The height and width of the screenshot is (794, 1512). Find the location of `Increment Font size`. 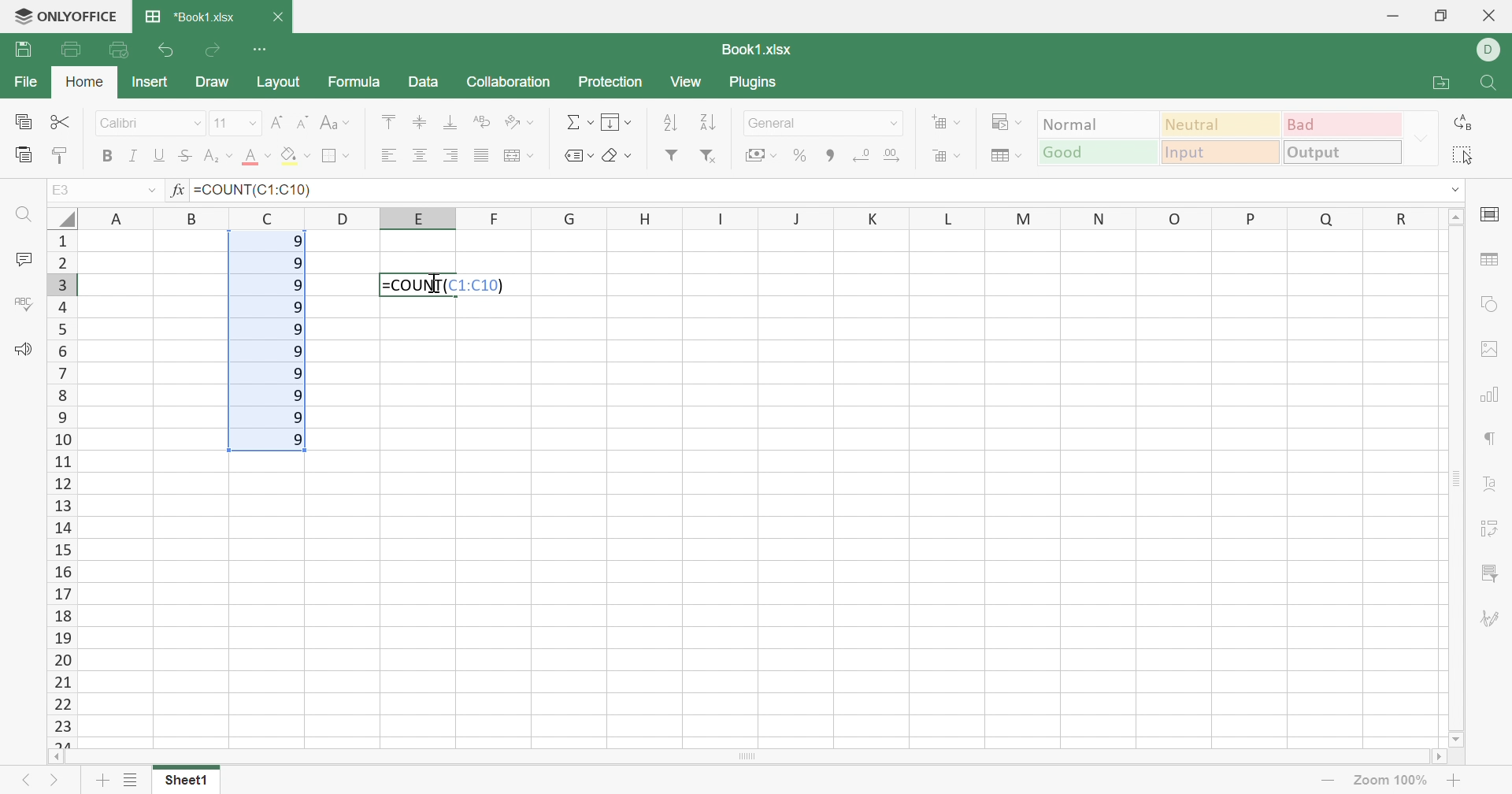

Increment Font size is located at coordinates (278, 123).